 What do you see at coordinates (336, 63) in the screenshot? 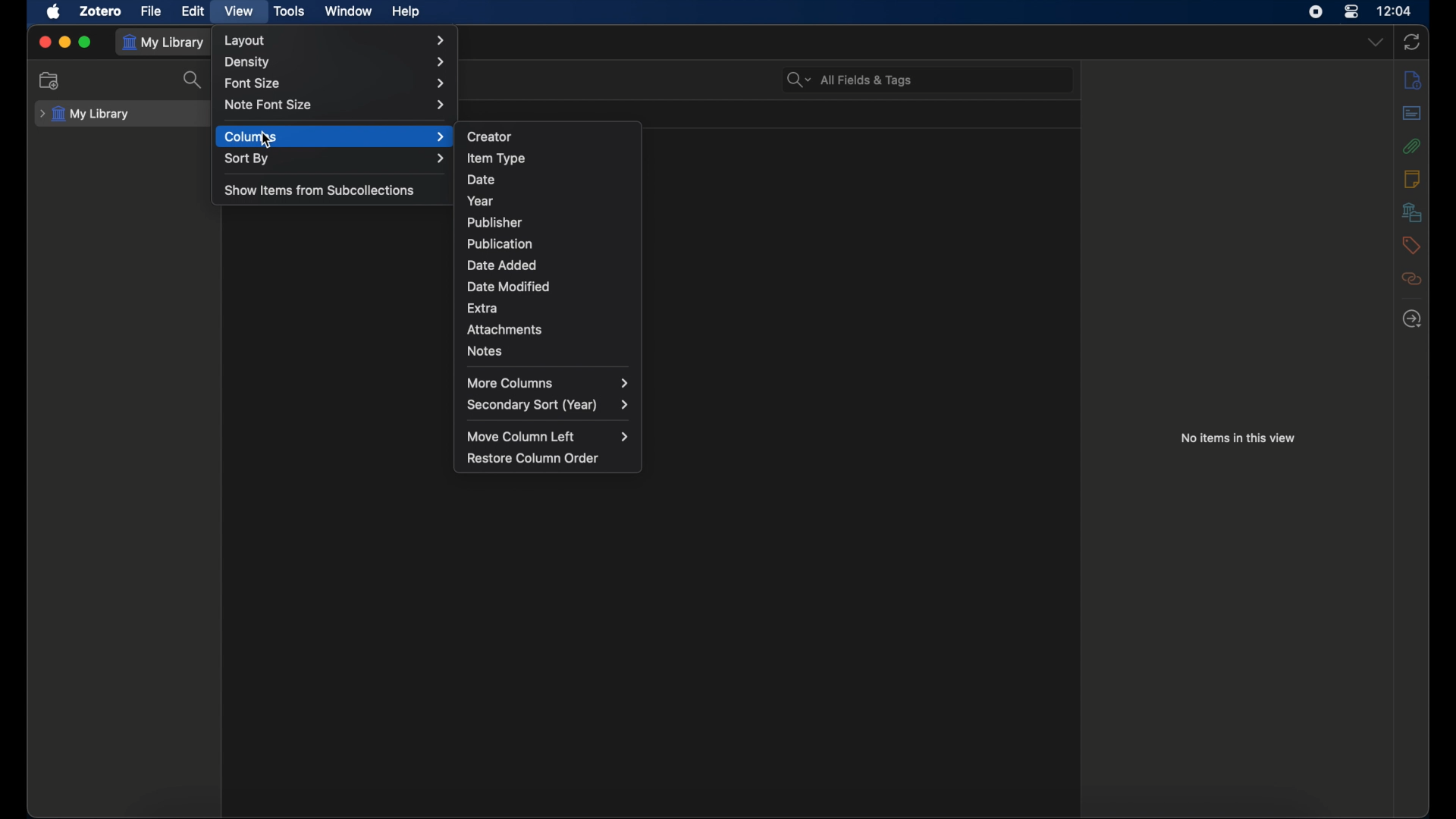
I see `density` at bounding box center [336, 63].